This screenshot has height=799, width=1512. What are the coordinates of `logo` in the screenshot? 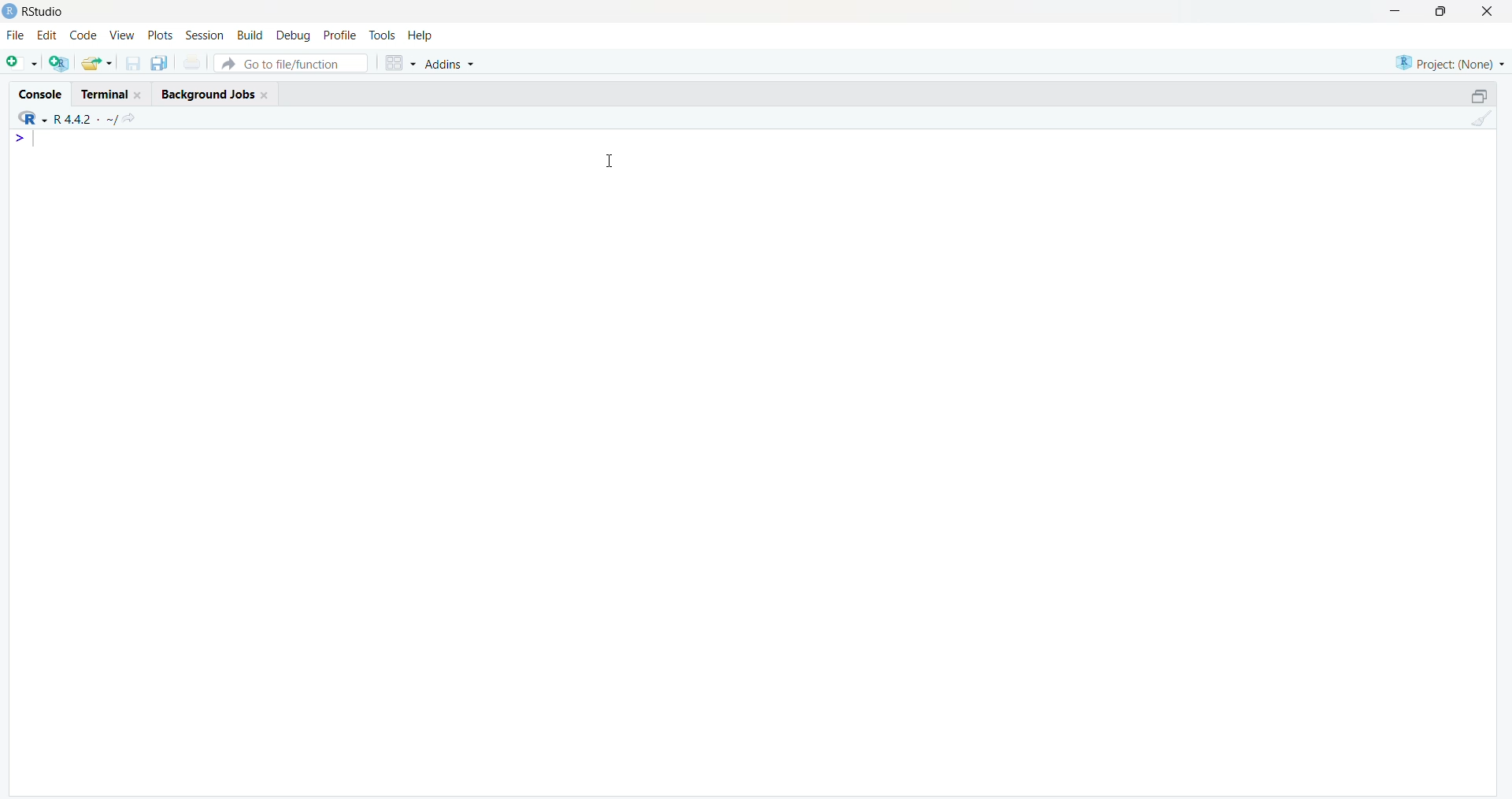 It's located at (9, 12).